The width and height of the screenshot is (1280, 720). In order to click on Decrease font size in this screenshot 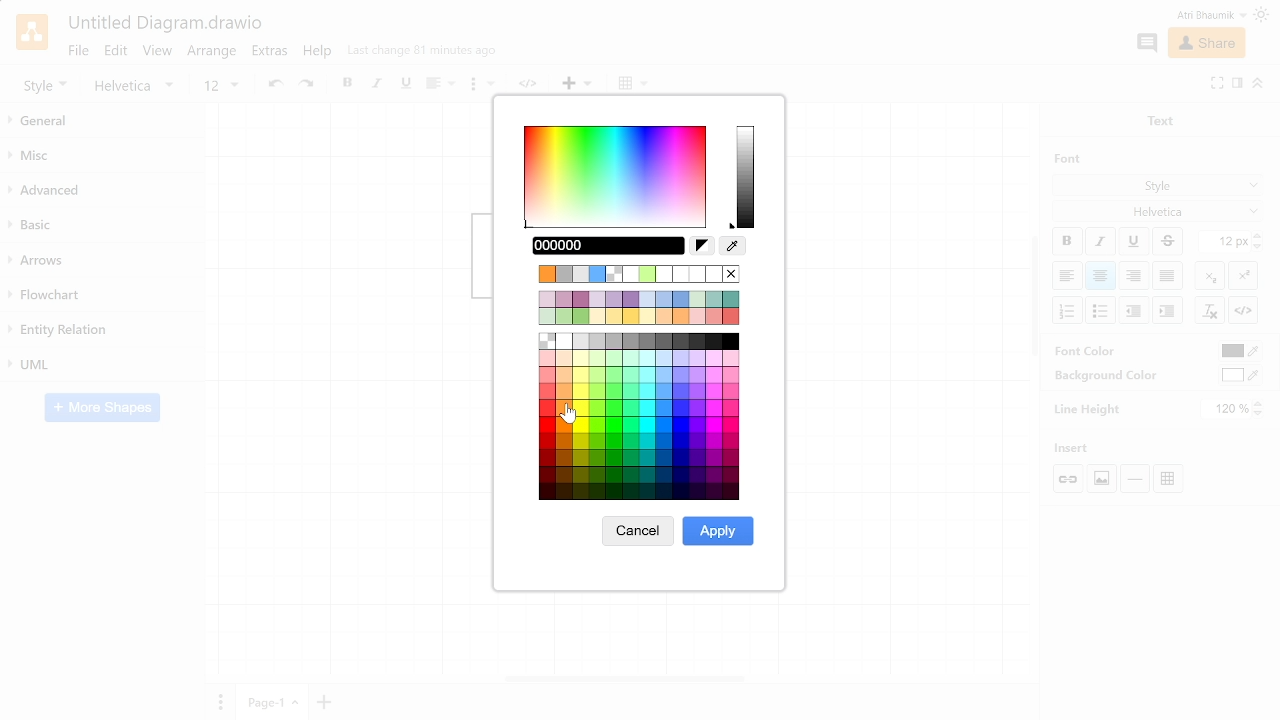, I will do `click(1259, 246)`.